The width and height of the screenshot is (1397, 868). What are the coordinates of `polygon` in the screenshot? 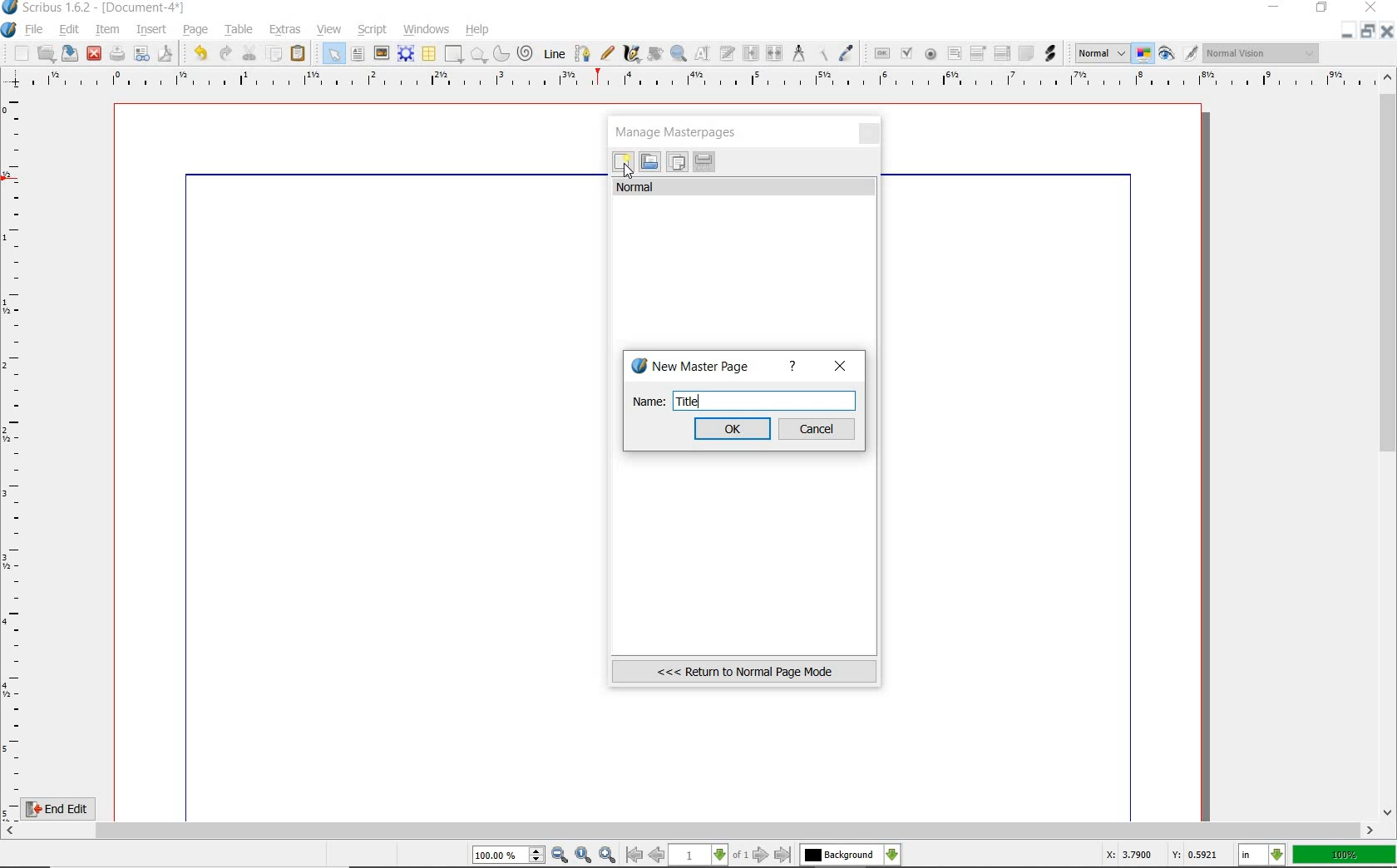 It's located at (478, 56).